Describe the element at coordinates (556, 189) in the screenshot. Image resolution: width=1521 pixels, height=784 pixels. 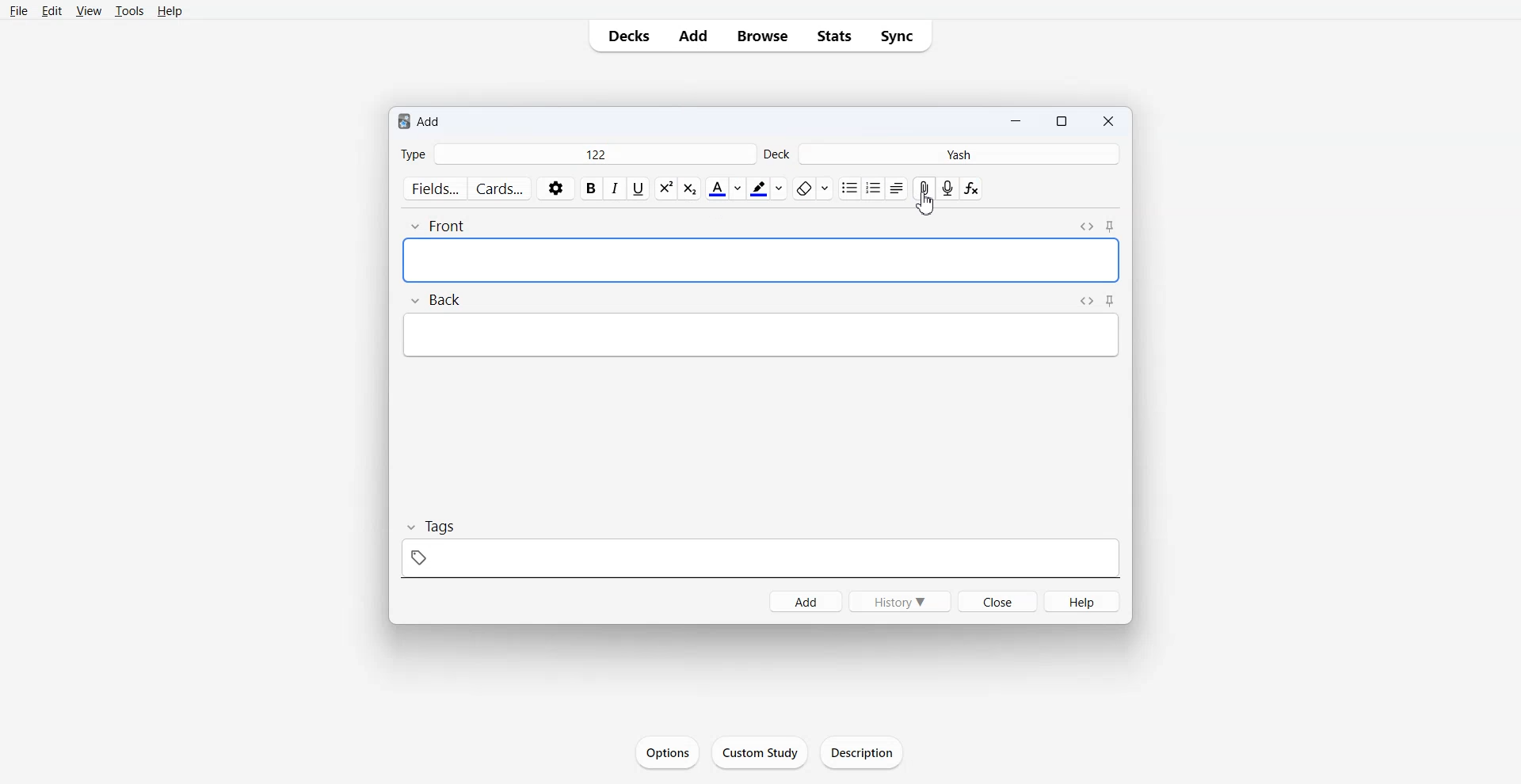
I see `Settings` at that location.